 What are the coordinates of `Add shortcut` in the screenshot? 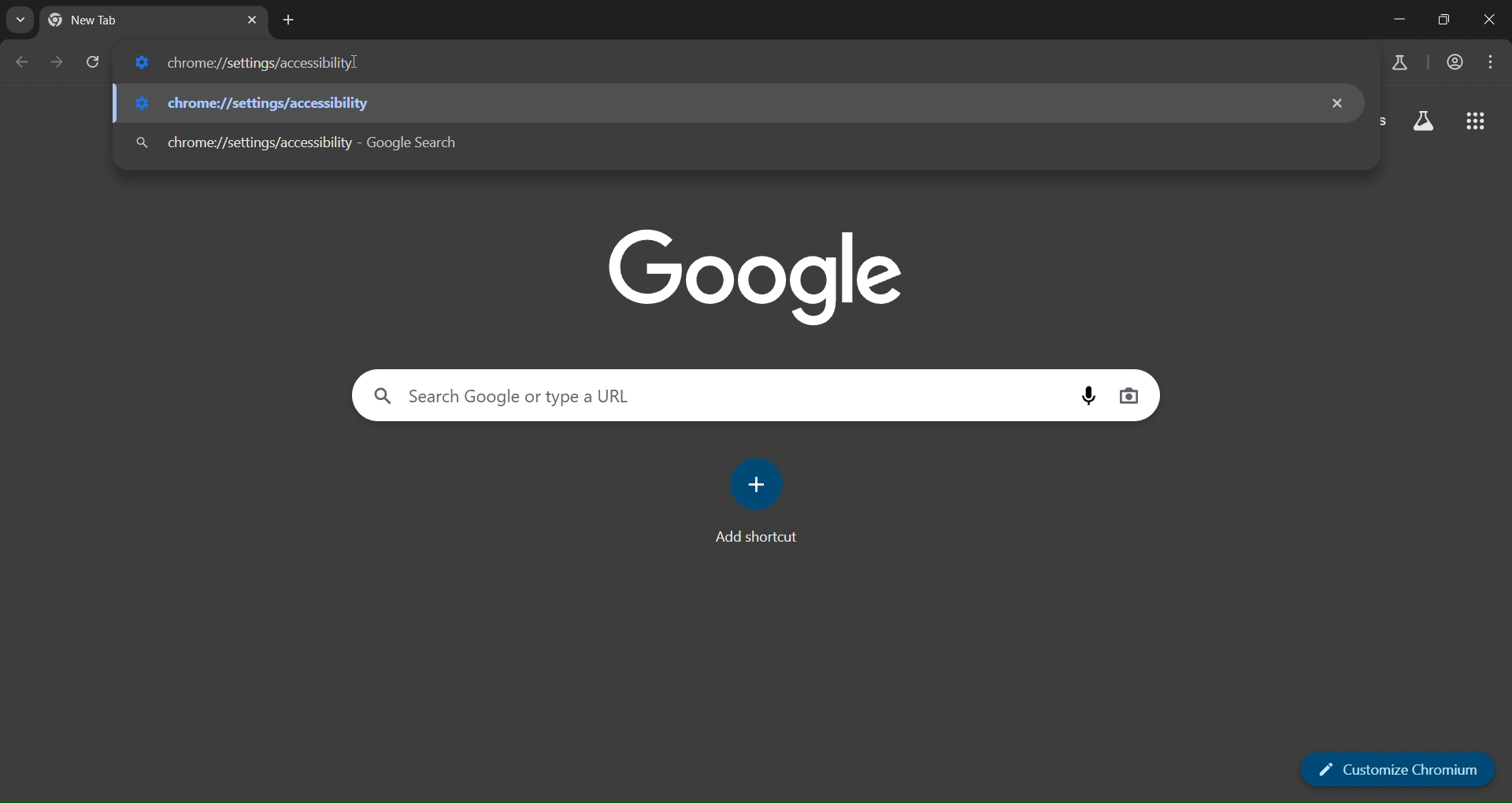 It's located at (770, 538).